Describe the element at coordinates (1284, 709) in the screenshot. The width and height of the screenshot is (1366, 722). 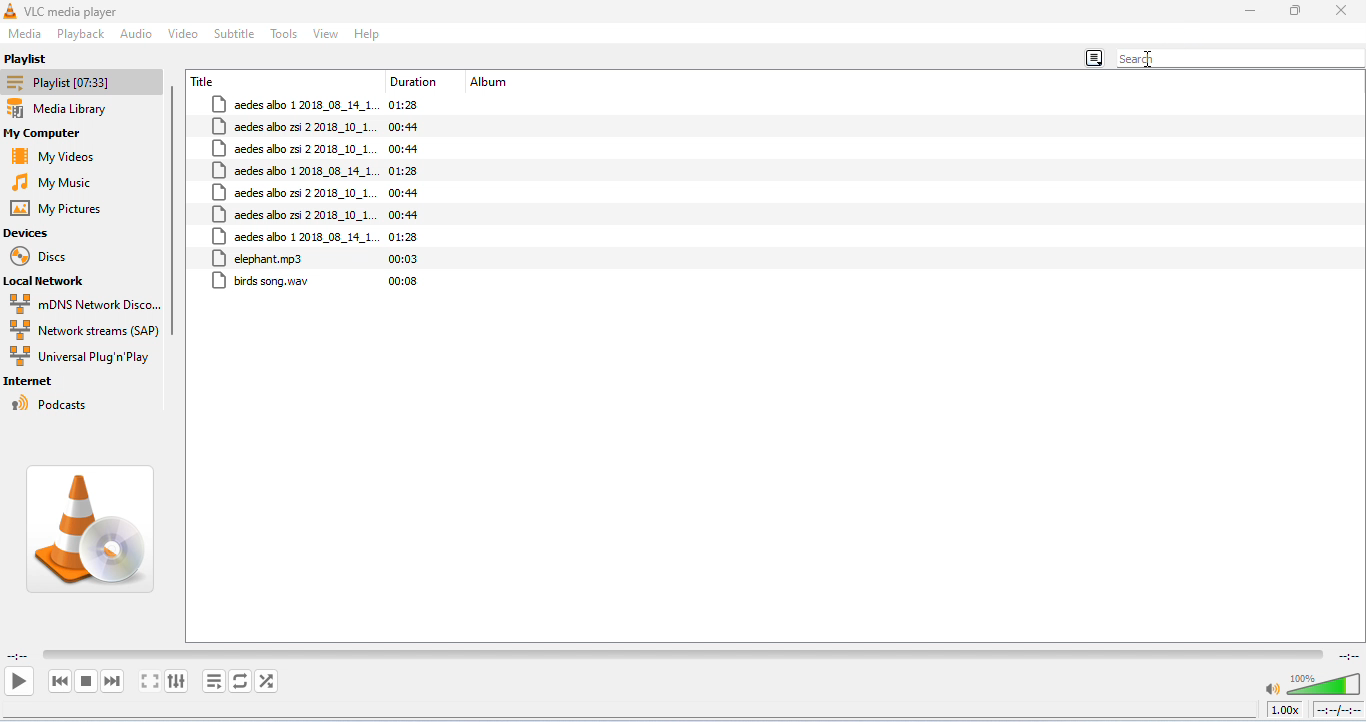
I see `1.00x` at that location.